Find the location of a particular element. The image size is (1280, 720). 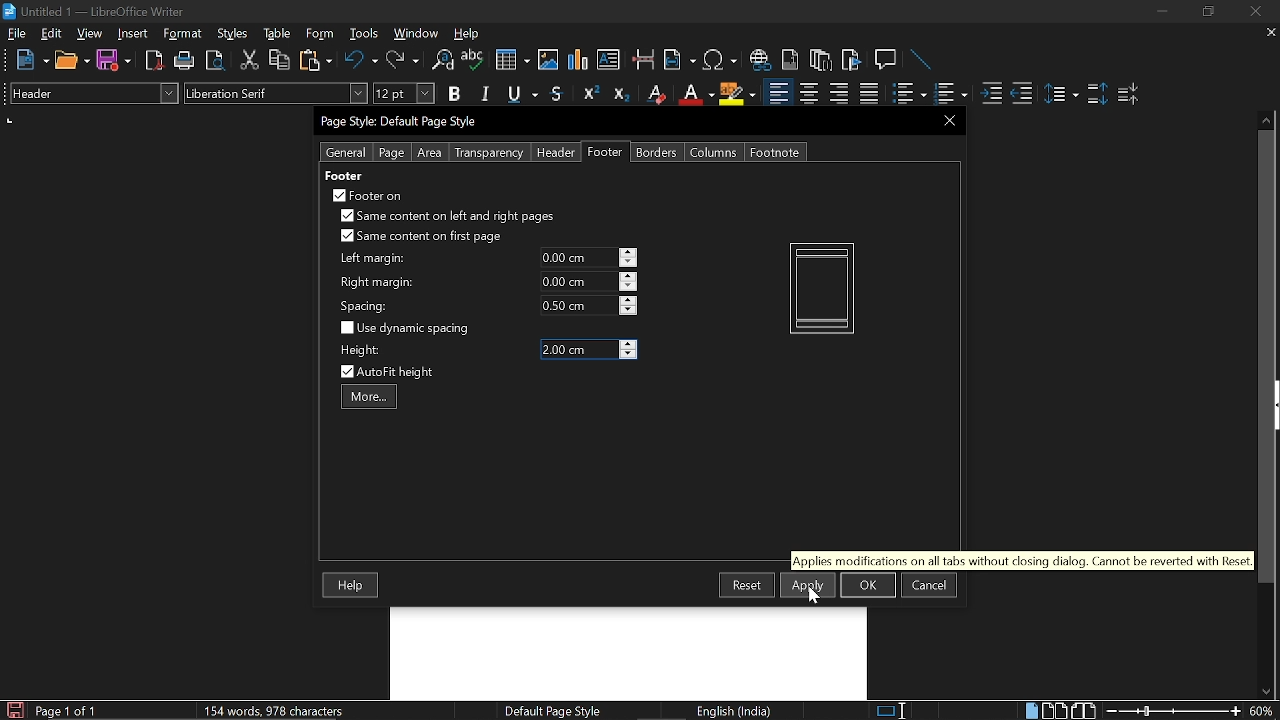

Strike through is located at coordinates (557, 93).